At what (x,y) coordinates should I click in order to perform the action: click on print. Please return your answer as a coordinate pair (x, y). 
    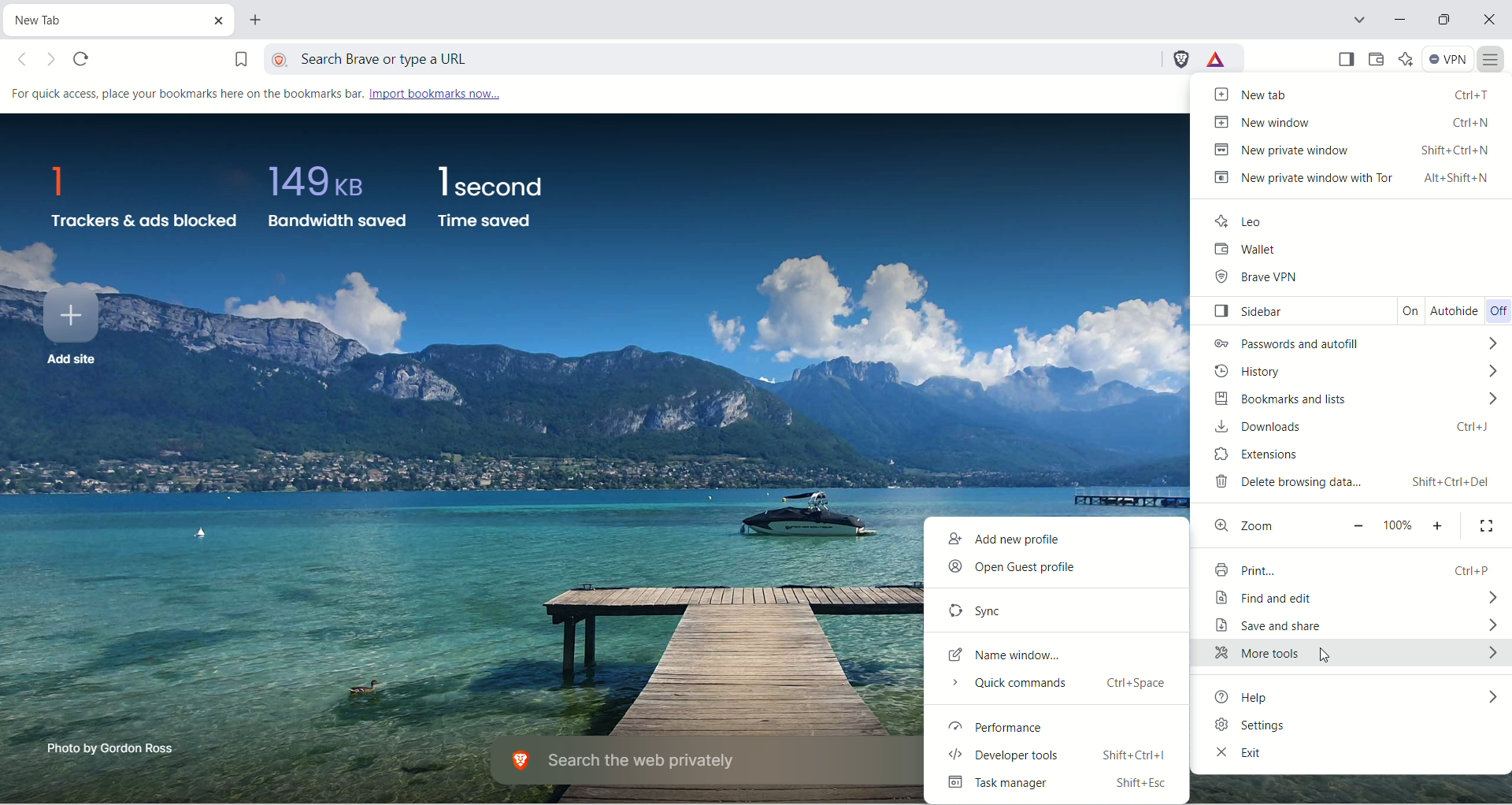
    Looking at the image, I should click on (1354, 568).